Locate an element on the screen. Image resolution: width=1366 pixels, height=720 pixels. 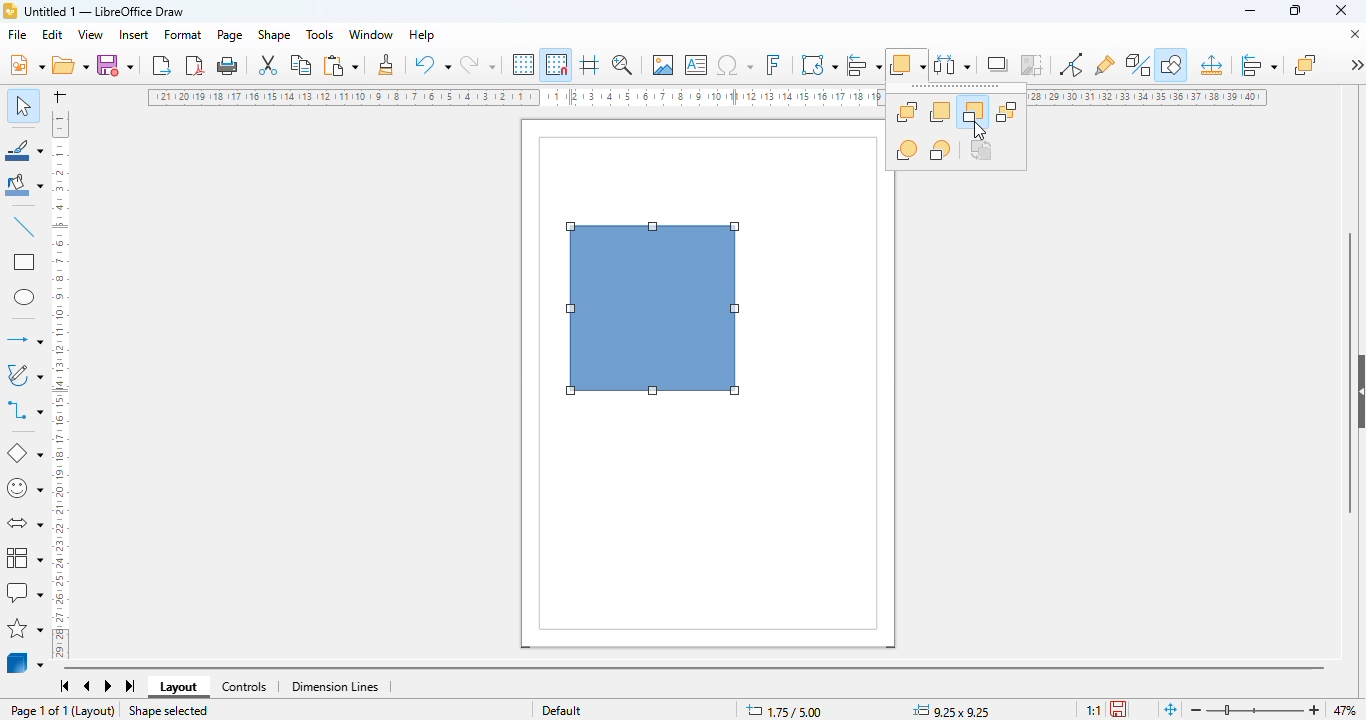
help is located at coordinates (423, 35).